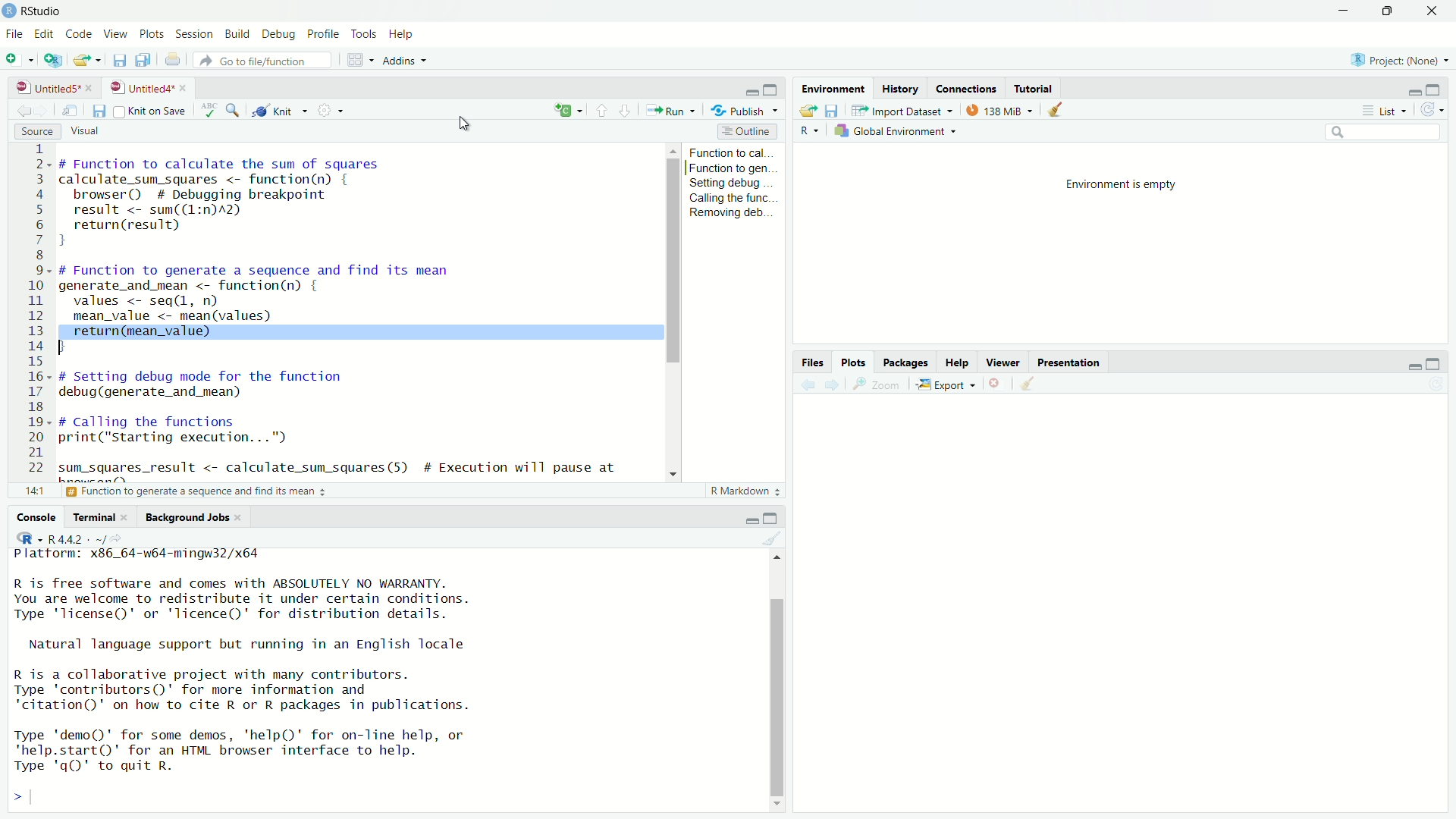  What do you see at coordinates (777, 560) in the screenshot?
I see `move up` at bounding box center [777, 560].